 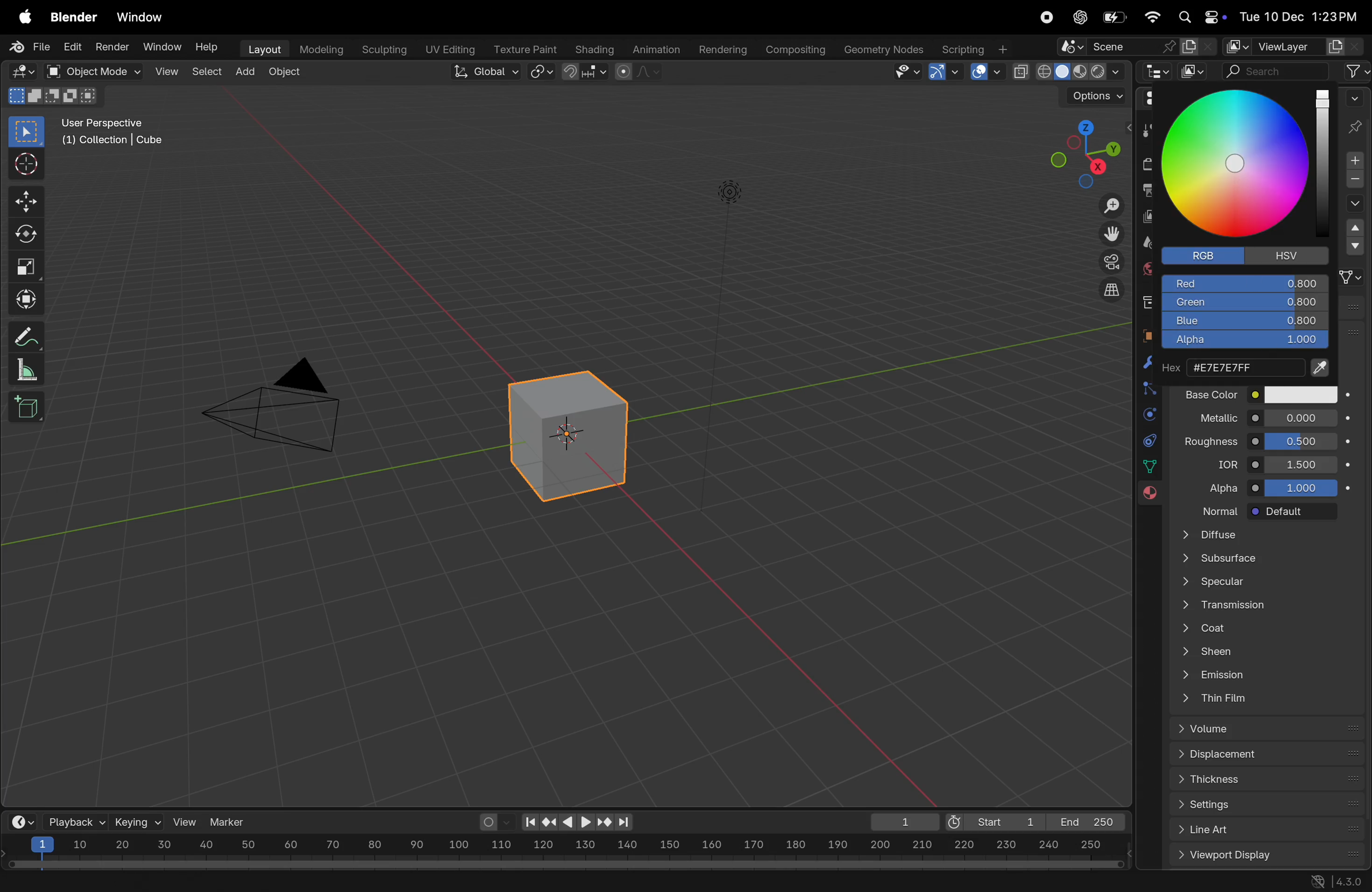 I want to click on editor type, so click(x=1150, y=101).